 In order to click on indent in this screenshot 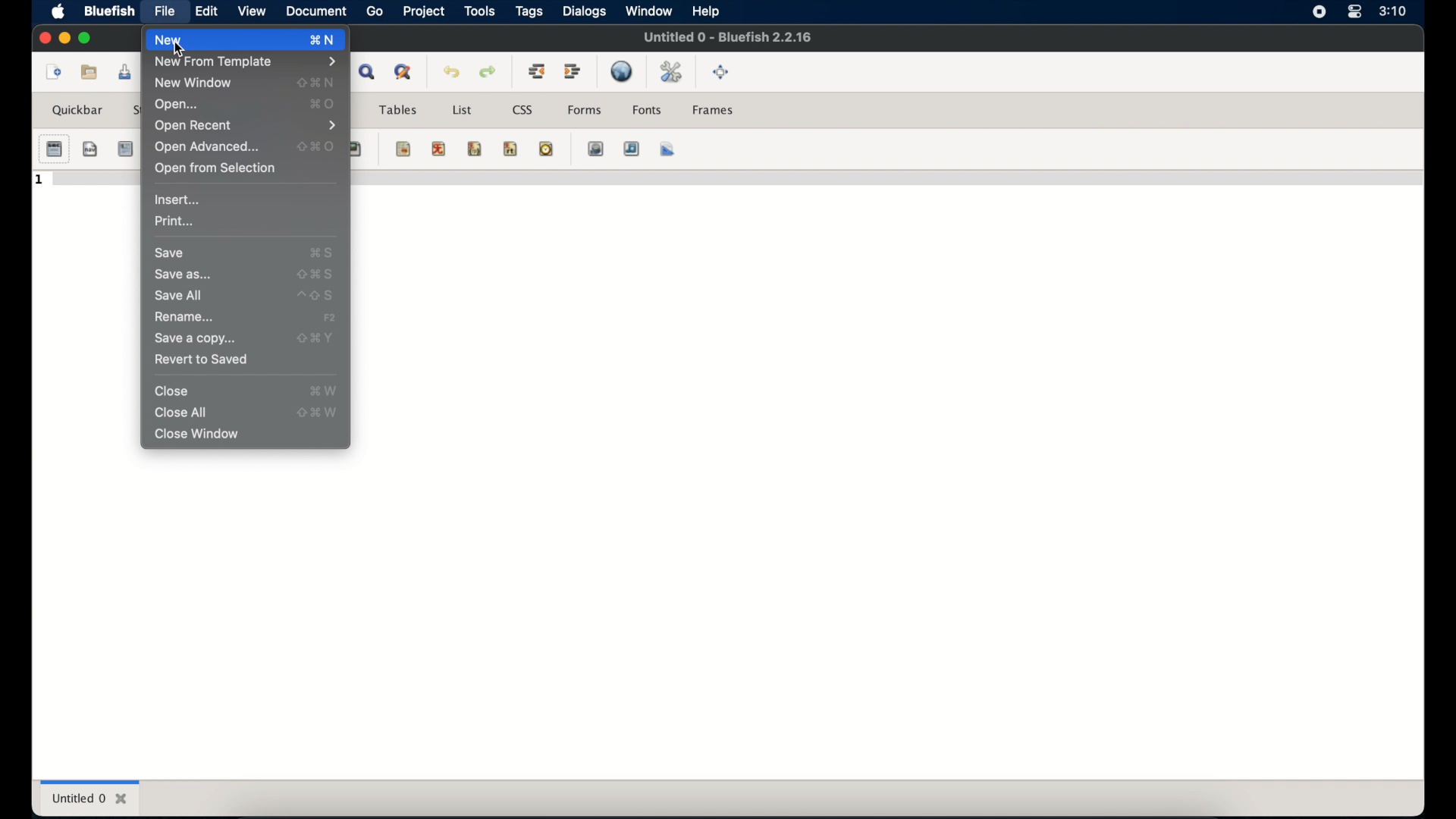, I will do `click(573, 71)`.